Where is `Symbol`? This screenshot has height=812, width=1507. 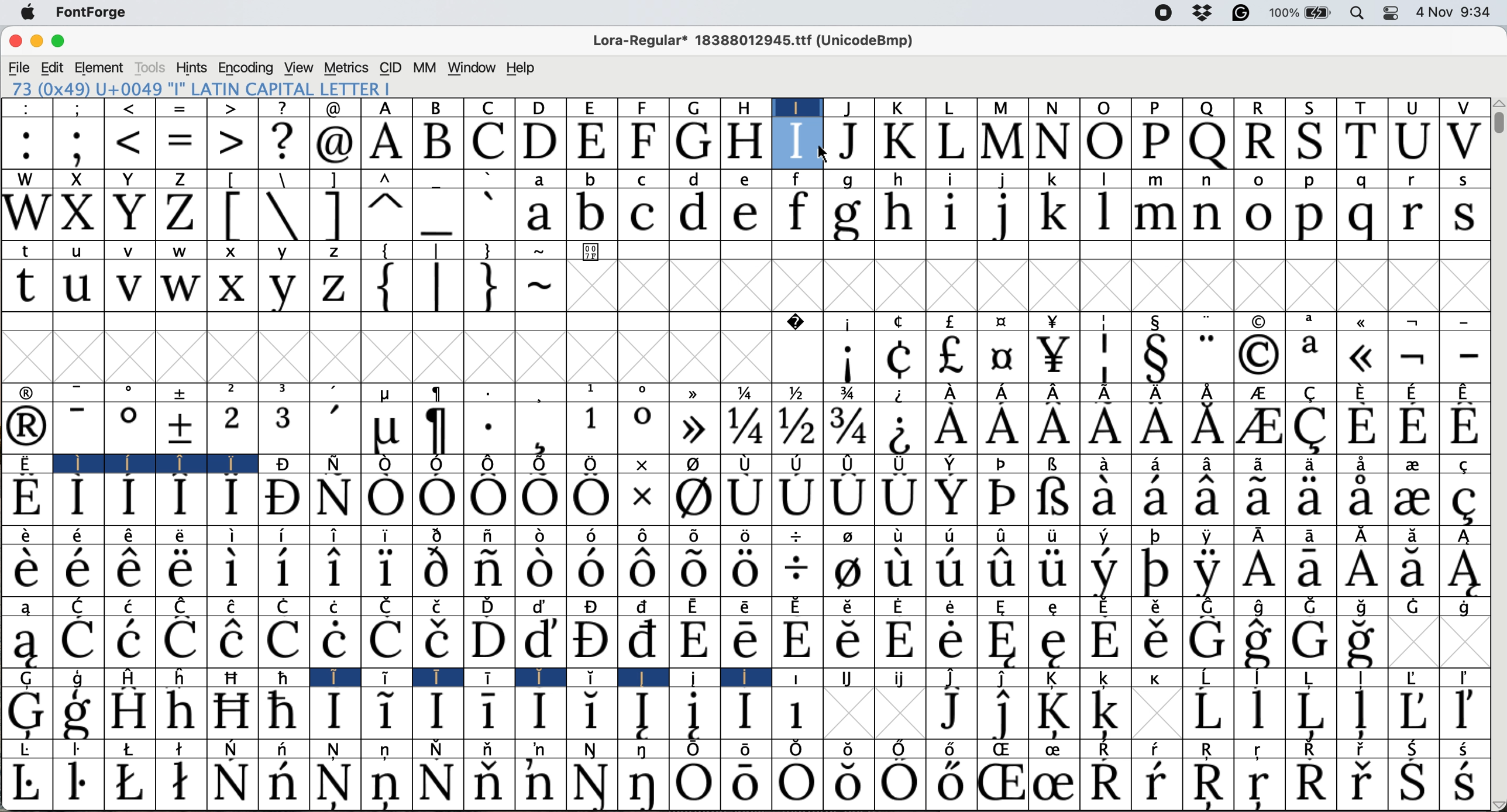 Symbol is located at coordinates (386, 500).